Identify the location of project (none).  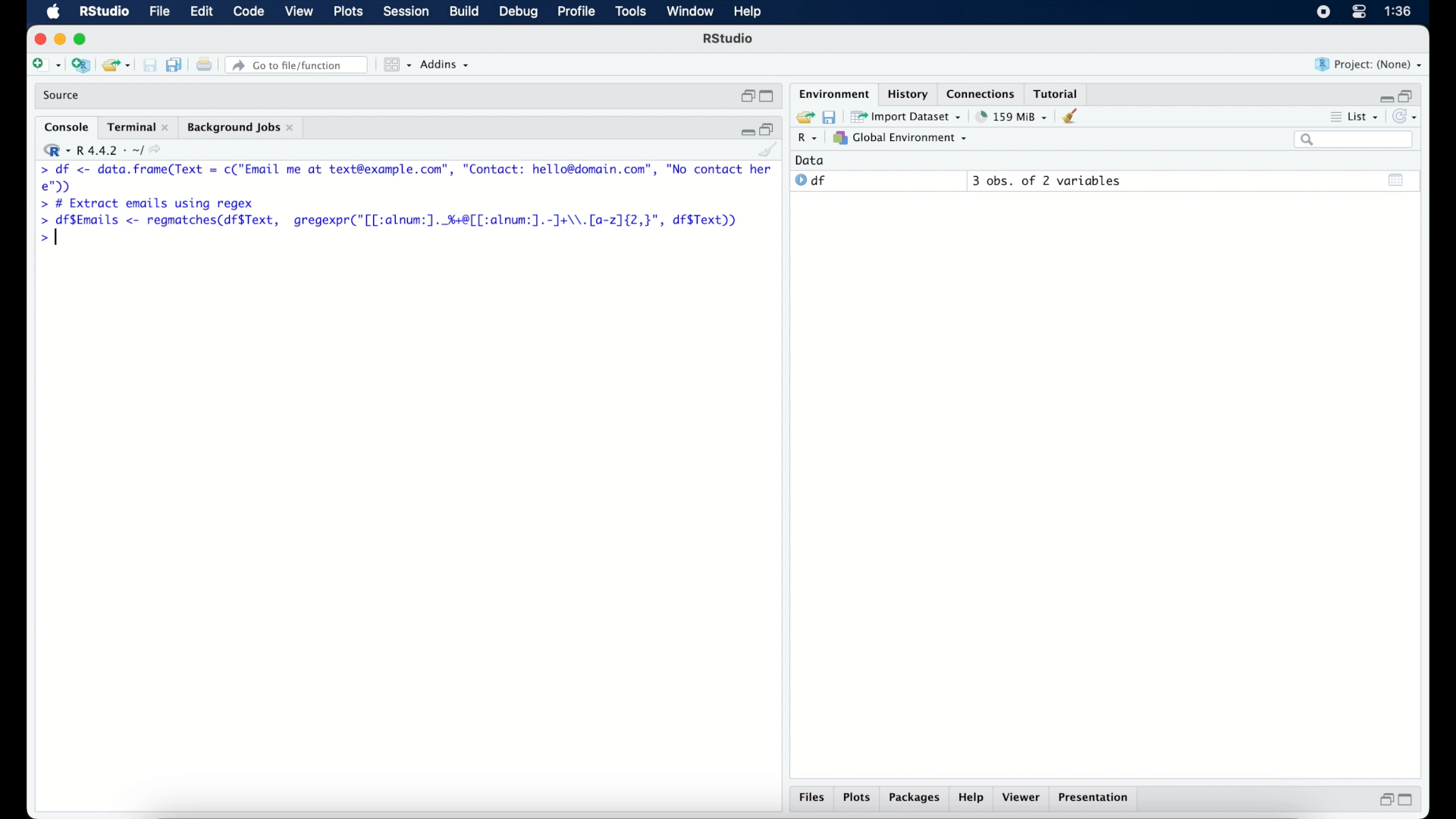
(1370, 65).